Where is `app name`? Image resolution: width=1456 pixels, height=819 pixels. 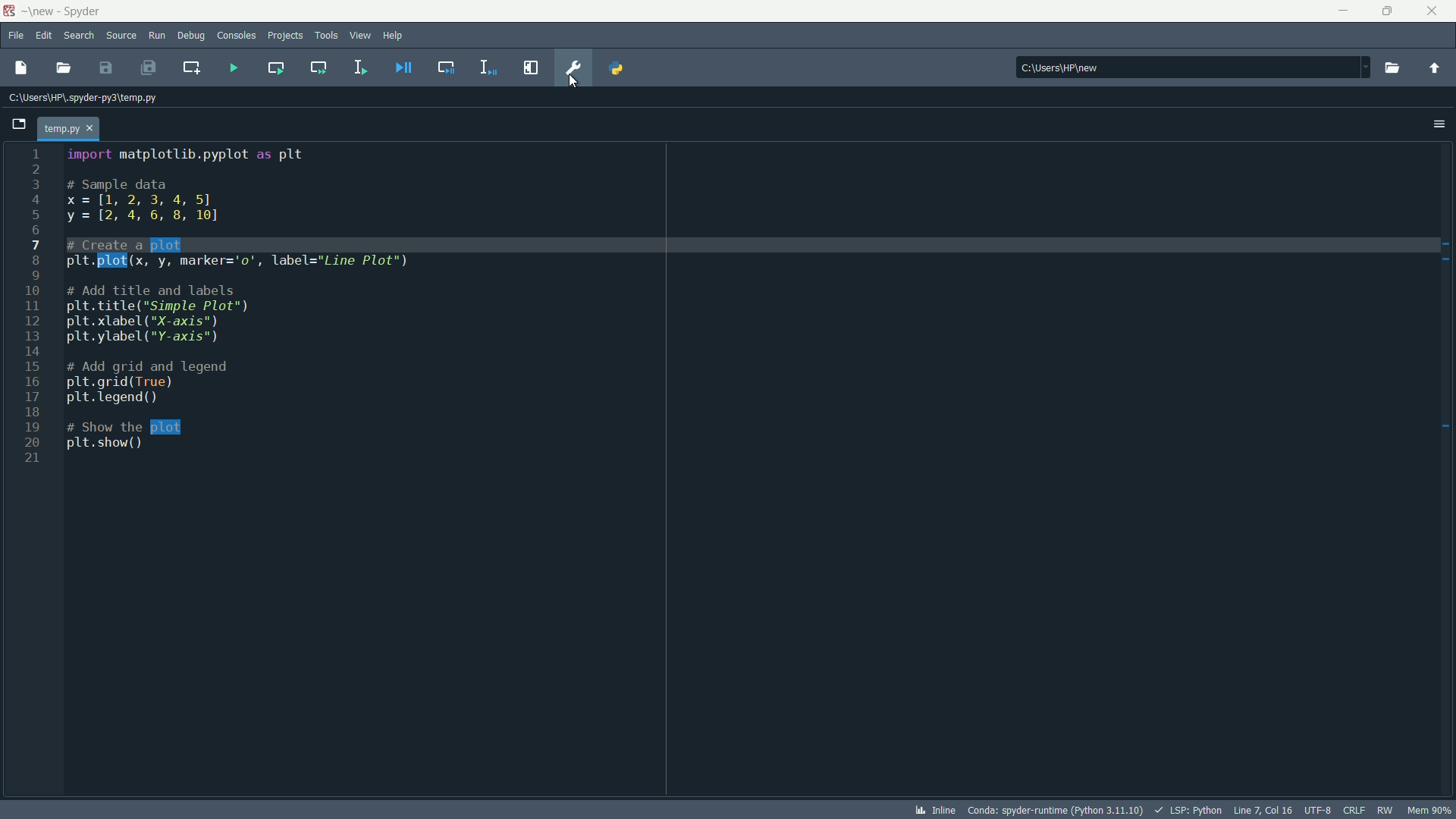
app name is located at coordinates (84, 12).